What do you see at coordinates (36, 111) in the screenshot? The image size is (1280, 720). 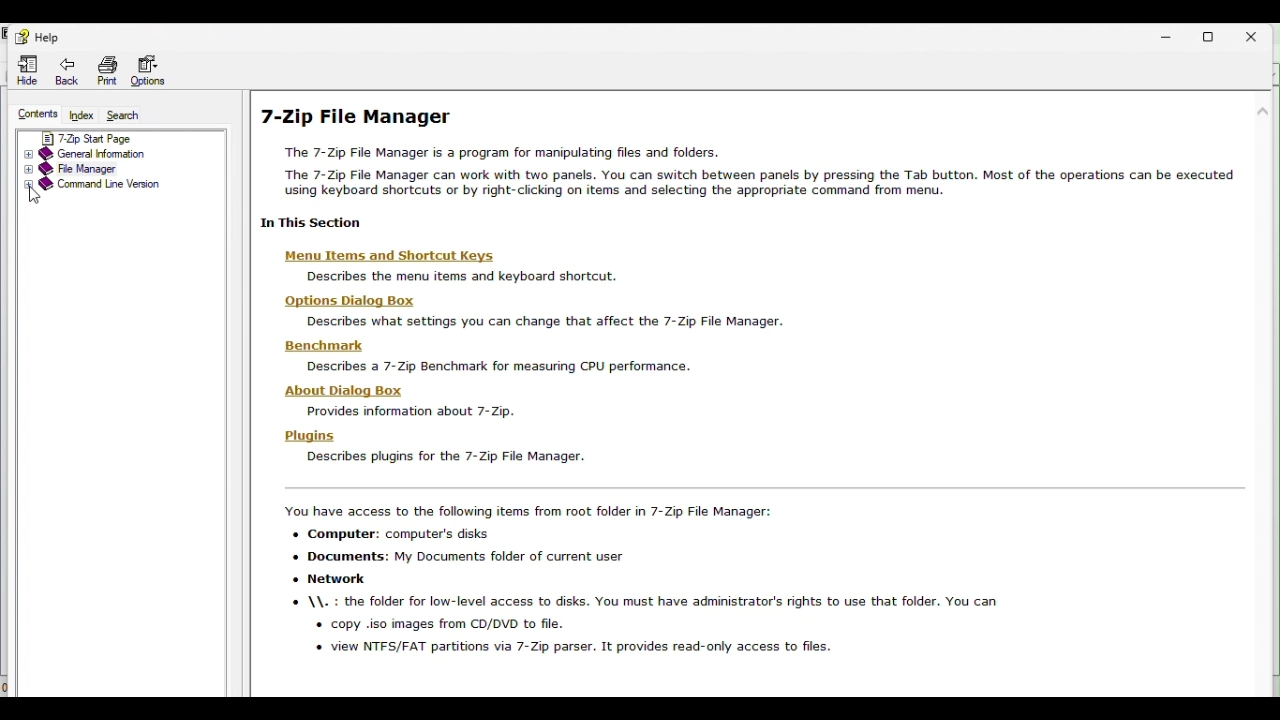 I see `Contents` at bounding box center [36, 111].